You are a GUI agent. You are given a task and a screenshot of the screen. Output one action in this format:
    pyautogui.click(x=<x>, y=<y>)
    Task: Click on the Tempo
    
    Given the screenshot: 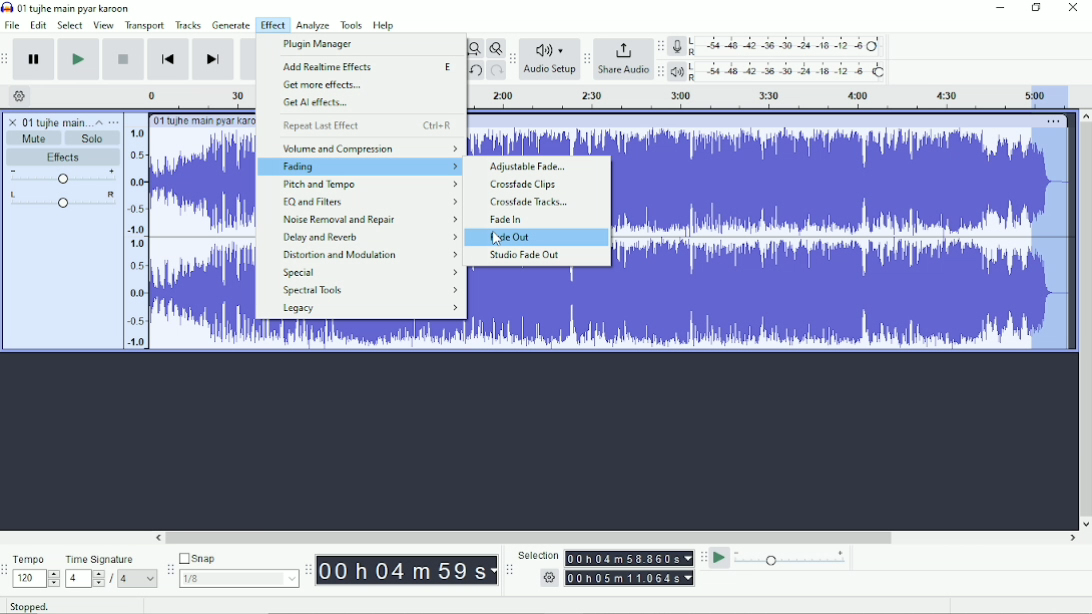 What is the action you would take?
    pyautogui.click(x=37, y=557)
    